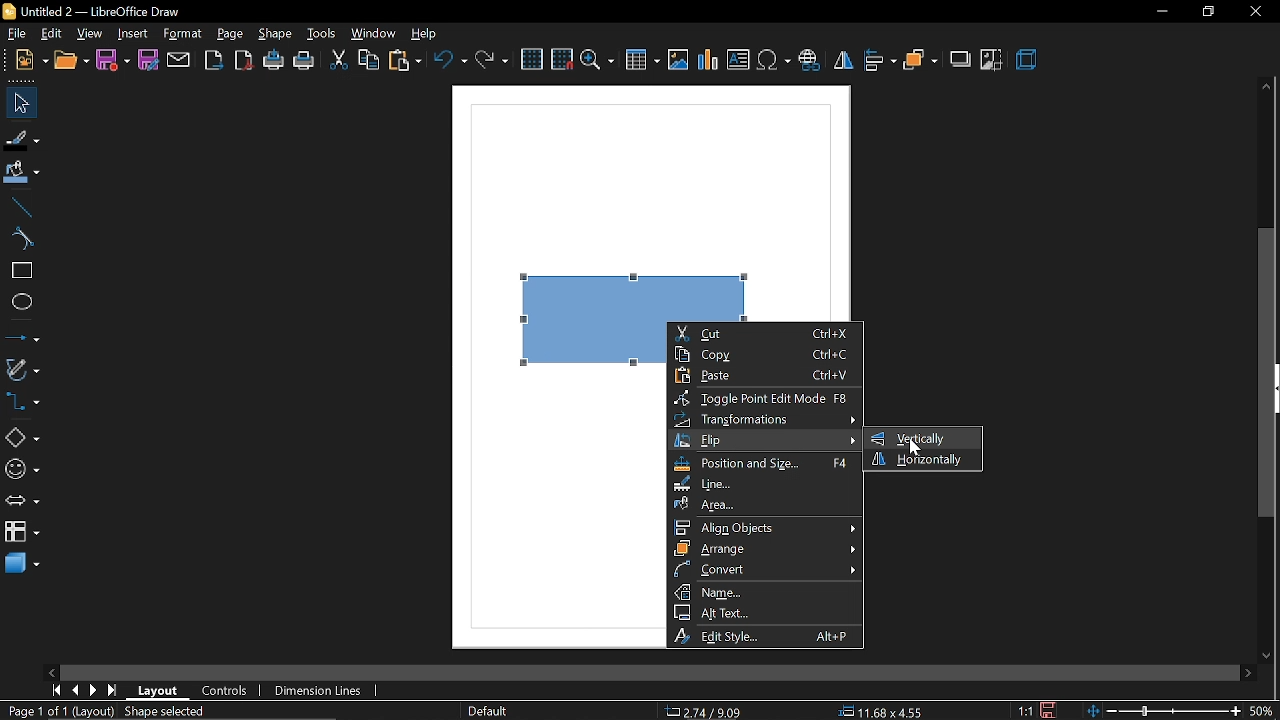 The width and height of the screenshot is (1280, 720). What do you see at coordinates (322, 31) in the screenshot?
I see `tools` at bounding box center [322, 31].